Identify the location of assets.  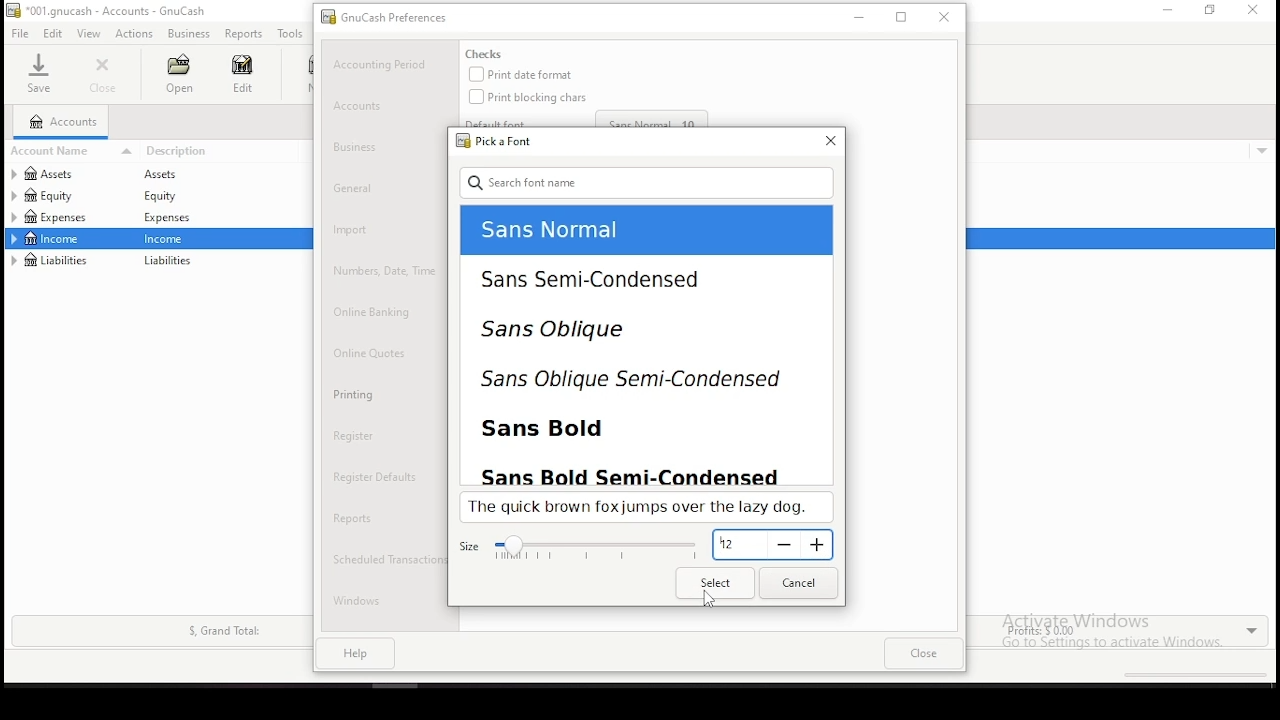
(66, 174).